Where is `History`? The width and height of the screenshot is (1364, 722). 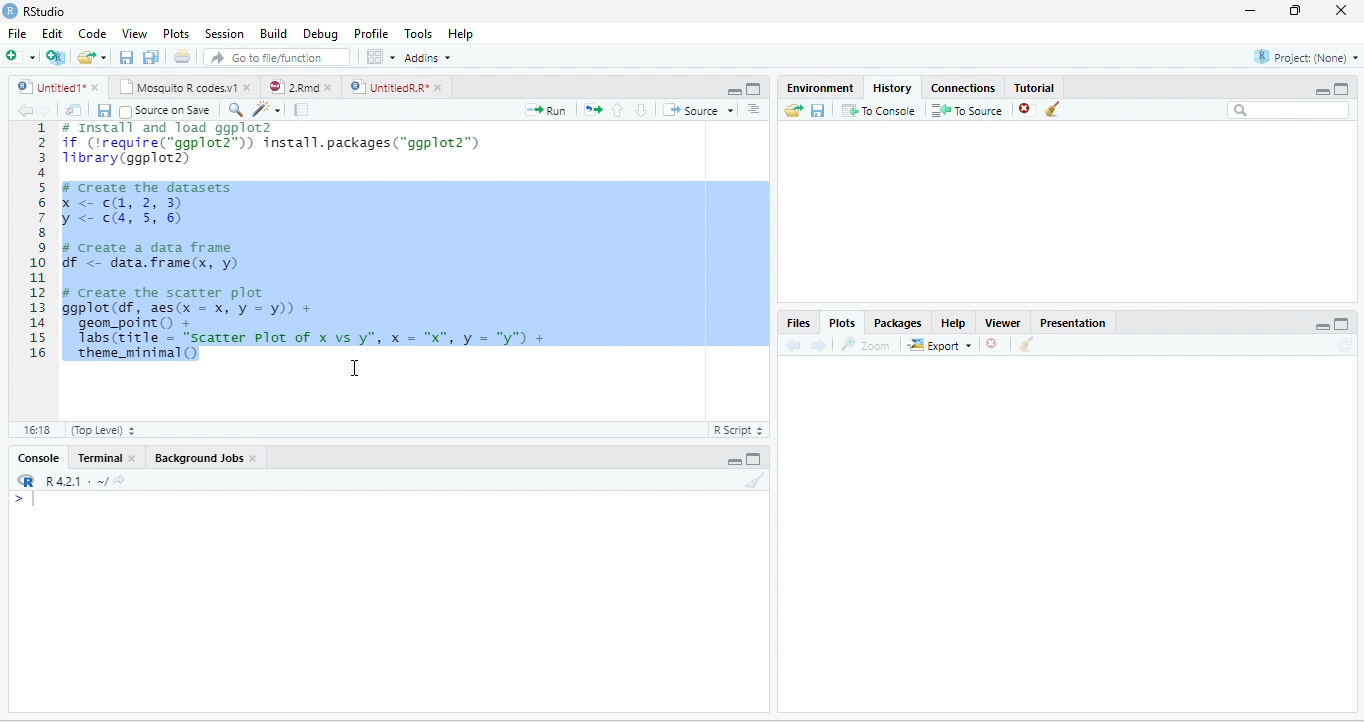 History is located at coordinates (891, 88).